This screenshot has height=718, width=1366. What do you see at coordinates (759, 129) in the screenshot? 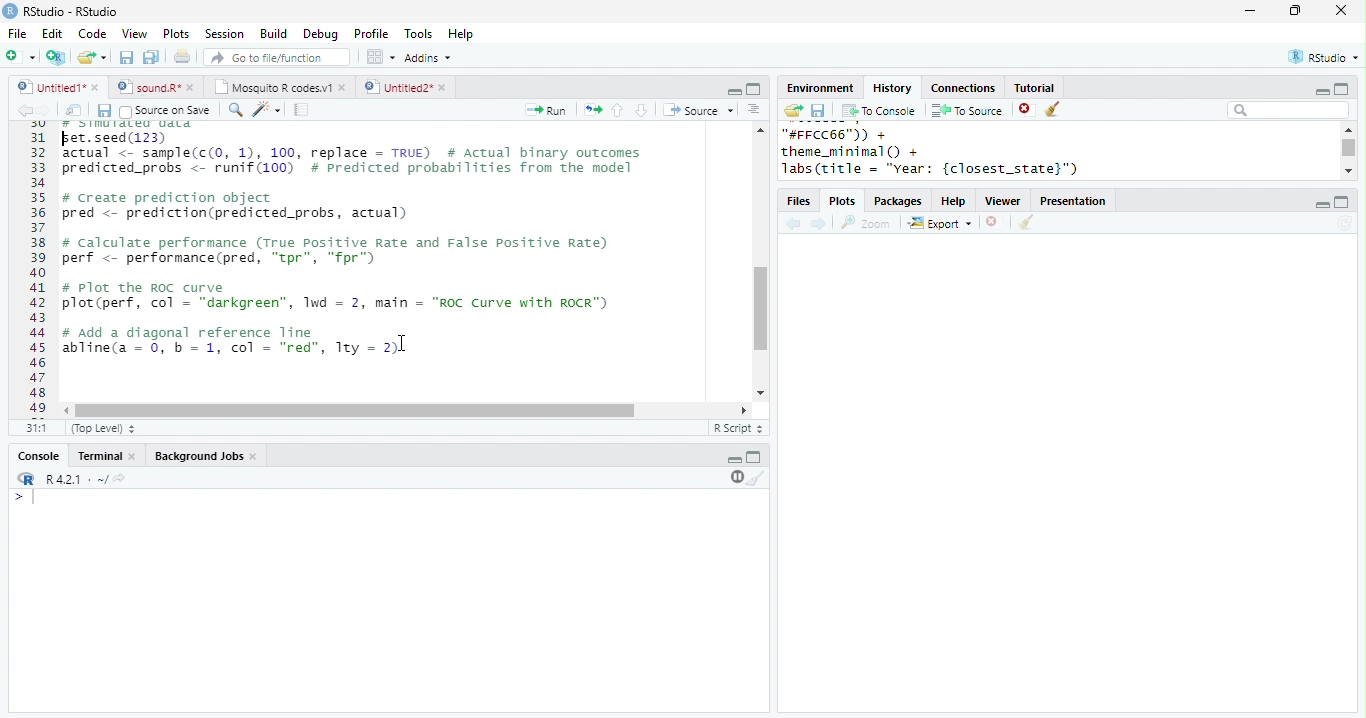
I see `scroll up` at bounding box center [759, 129].